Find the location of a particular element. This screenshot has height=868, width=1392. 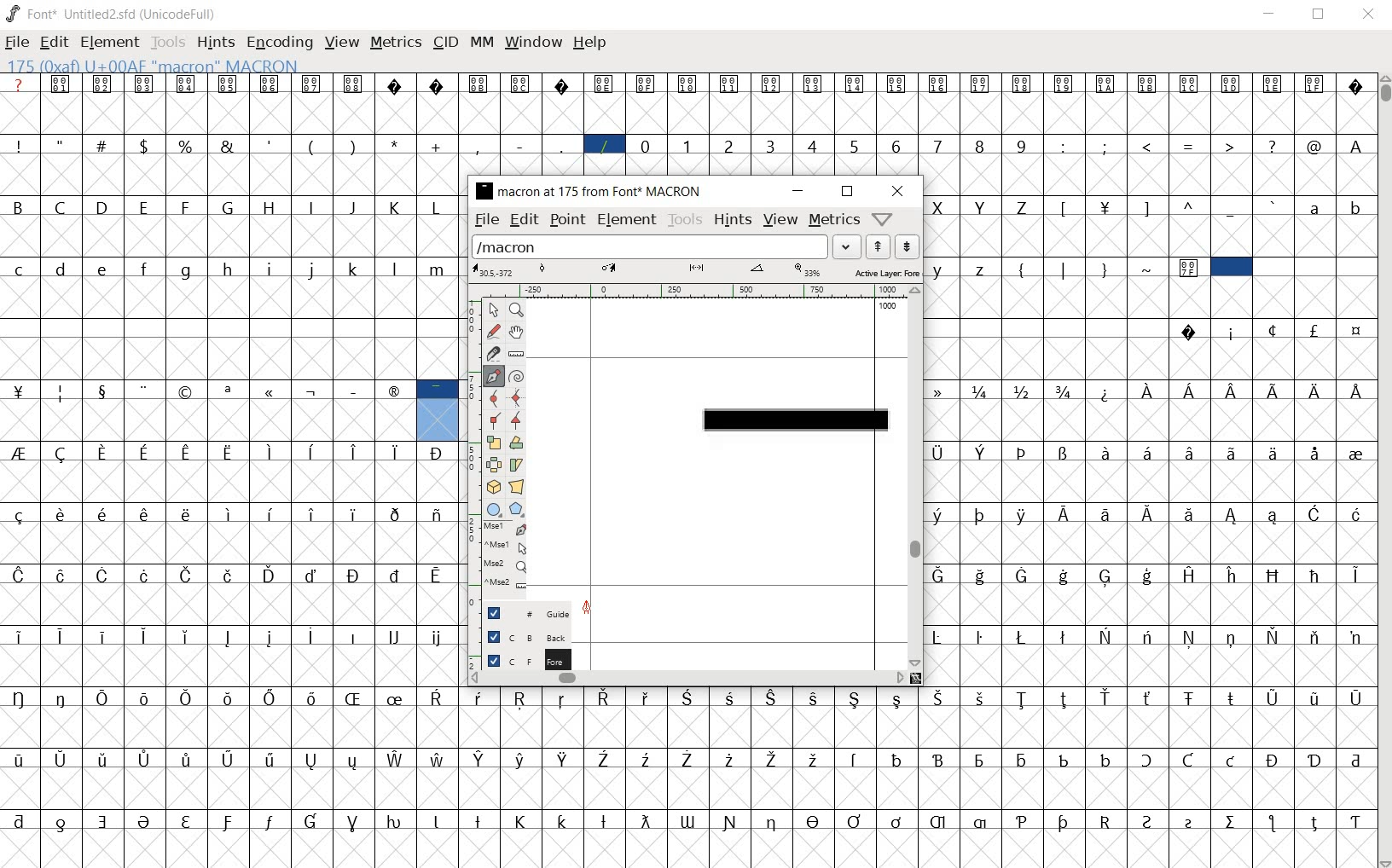

Z is located at coordinates (1024, 206).